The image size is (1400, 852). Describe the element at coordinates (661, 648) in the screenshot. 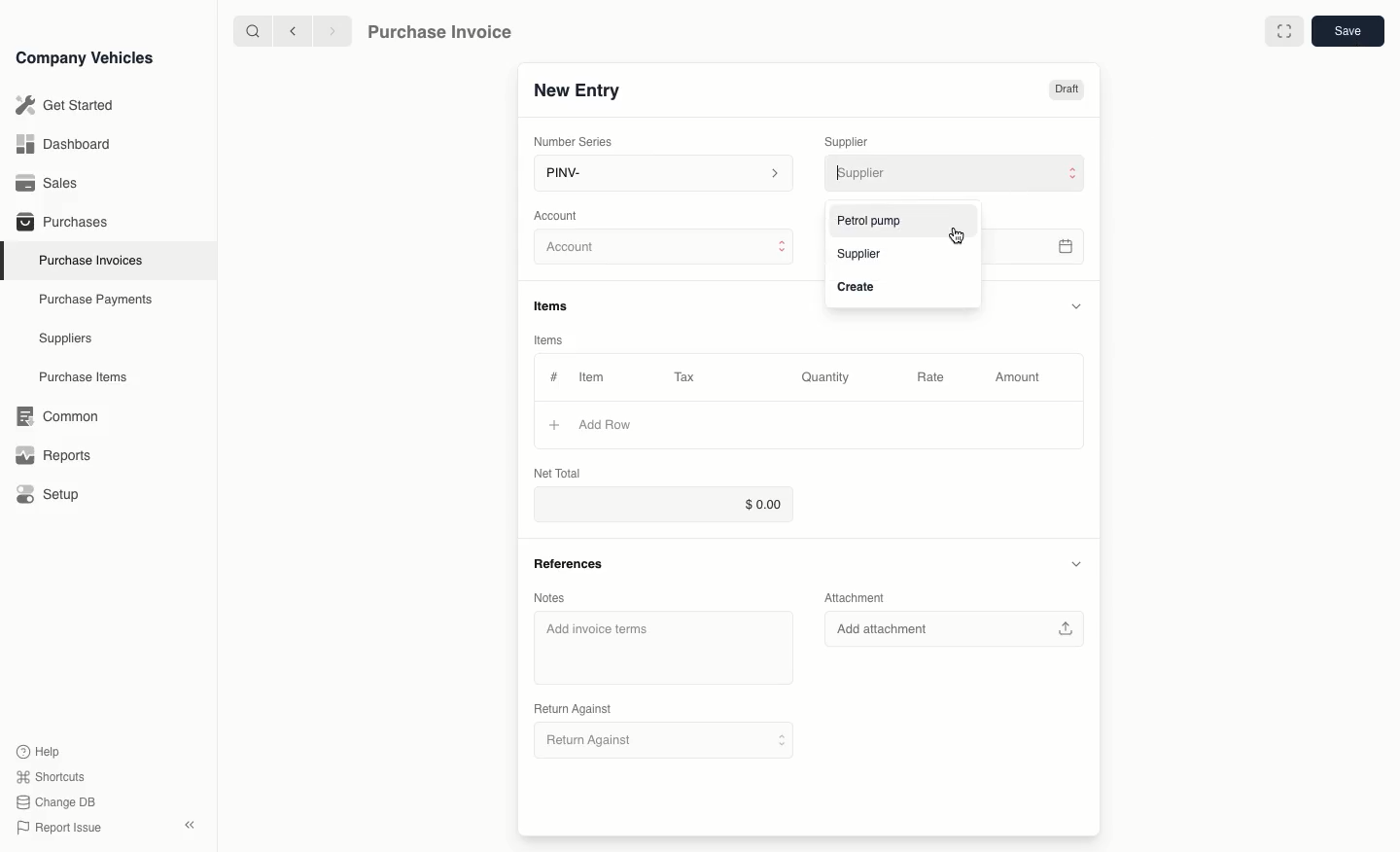

I see `Add invoice terms.` at that location.